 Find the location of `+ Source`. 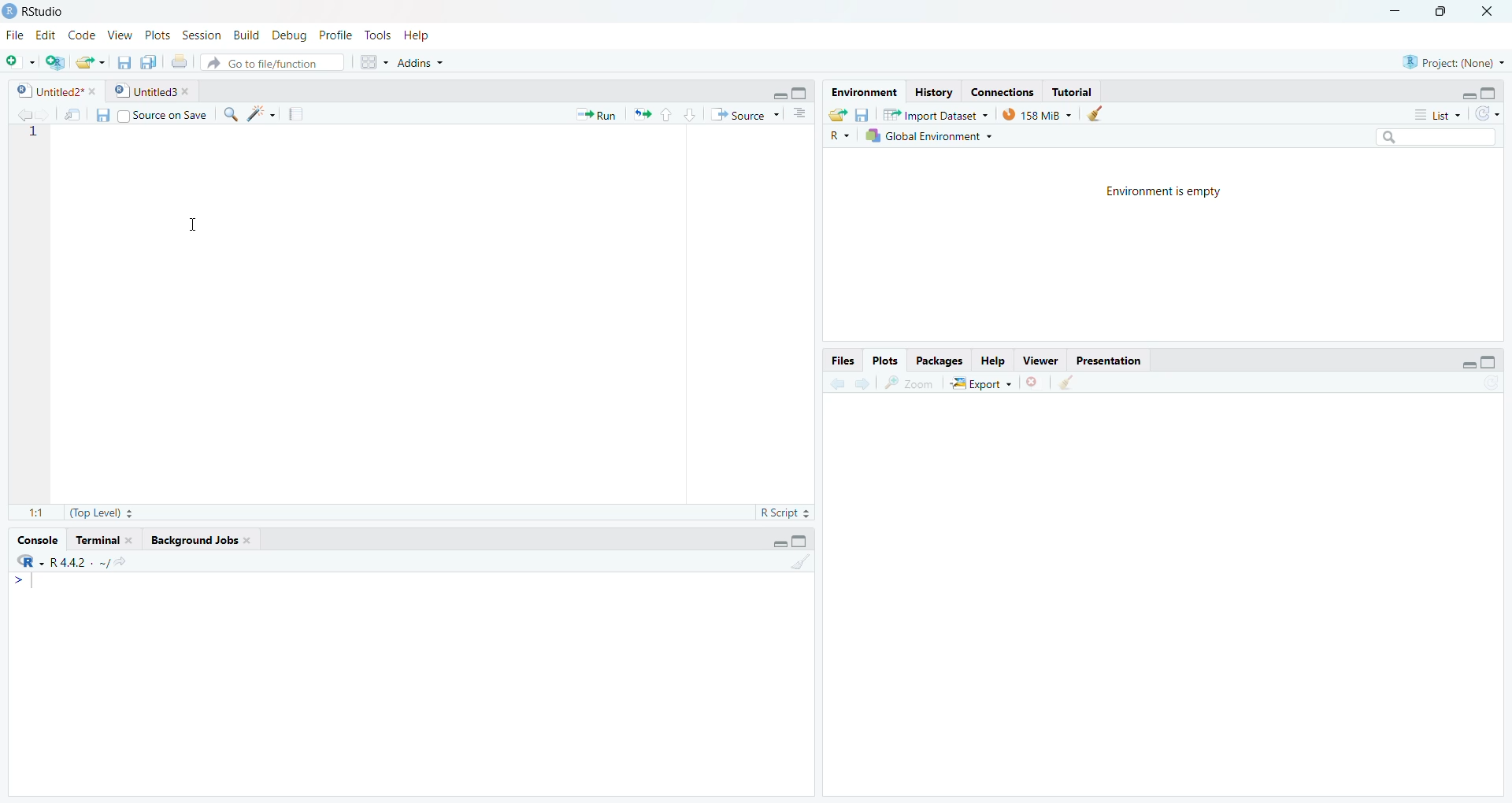

+ Source is located at coordinates (744, 115).